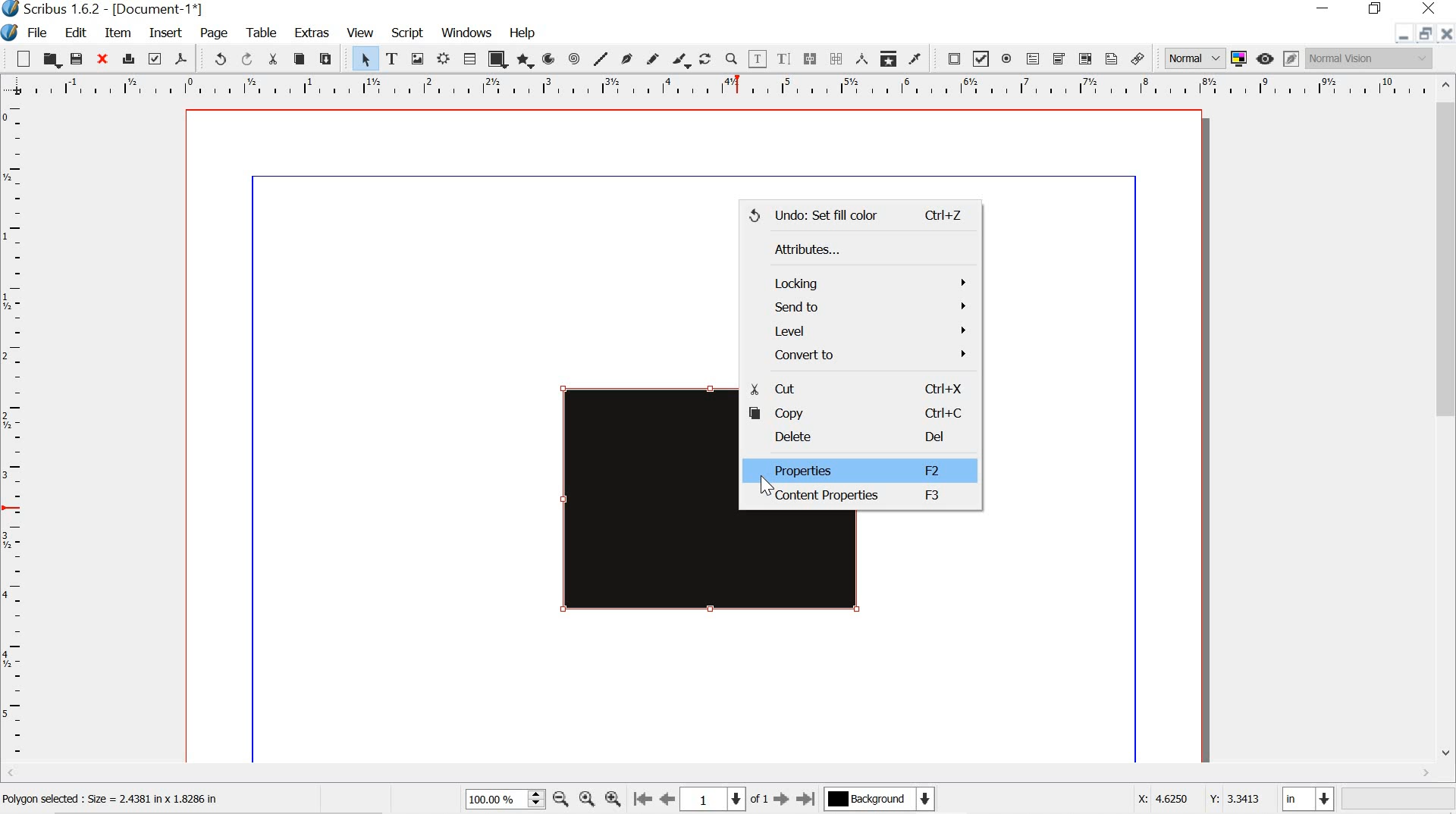 This screenshot has height=814, width=1456. What do you see at coordinates (810, 60) in the screenshot?
I see `link text frame` at bounding box center [810, 60].